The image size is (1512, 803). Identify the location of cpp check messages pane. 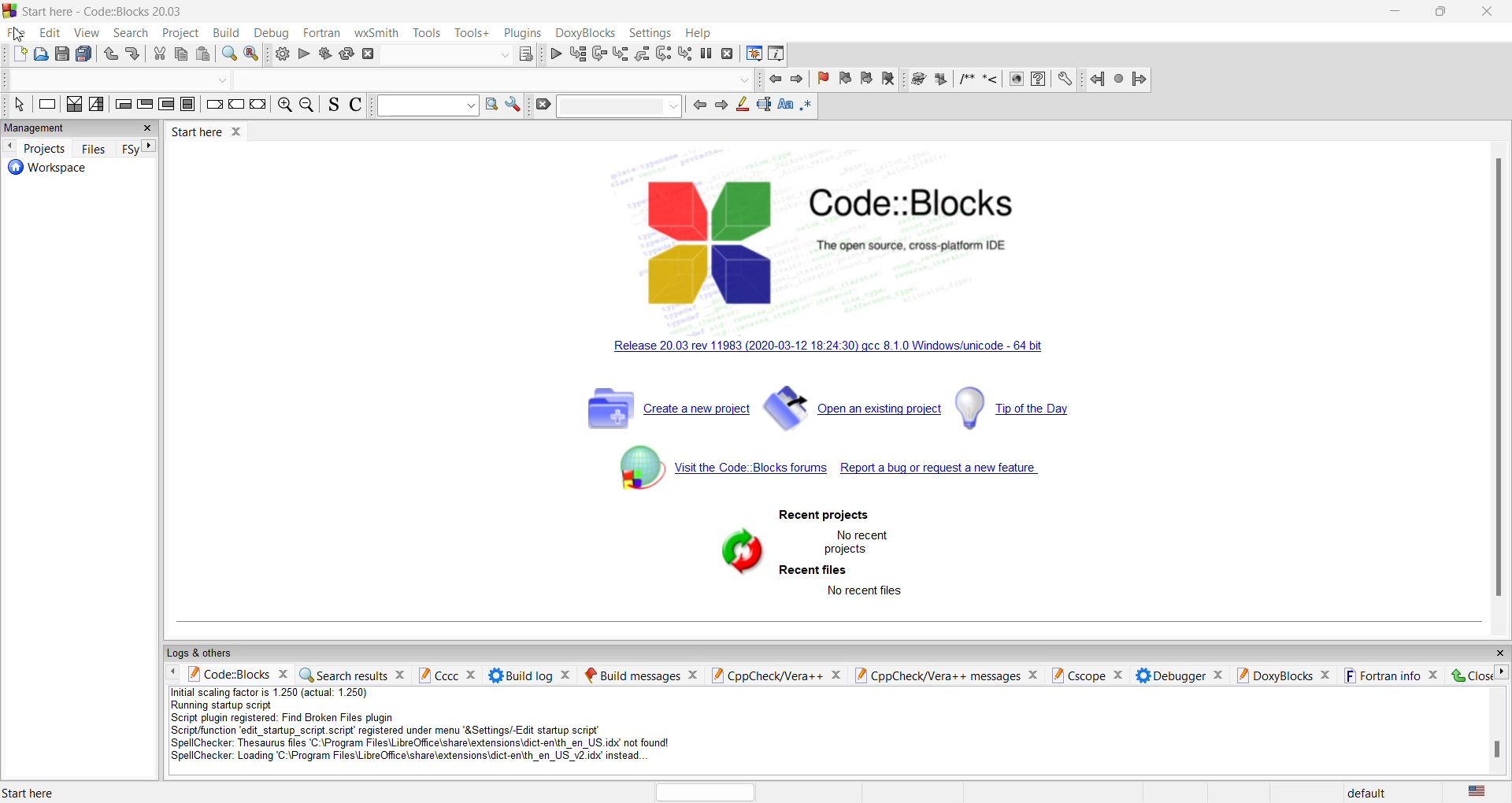
(951, 675).